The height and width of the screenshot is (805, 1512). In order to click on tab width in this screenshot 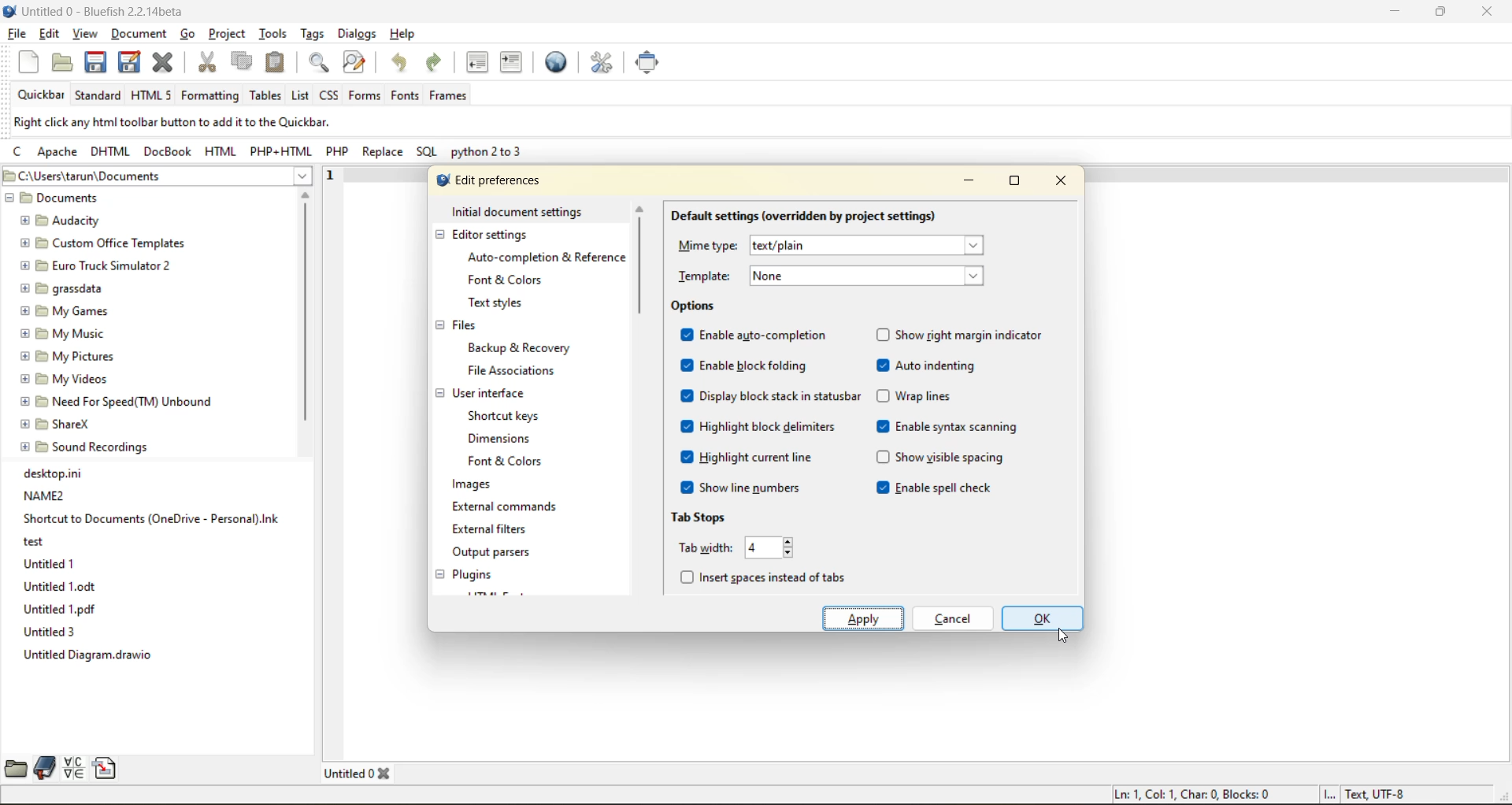, I will do `click(704, 547)`.